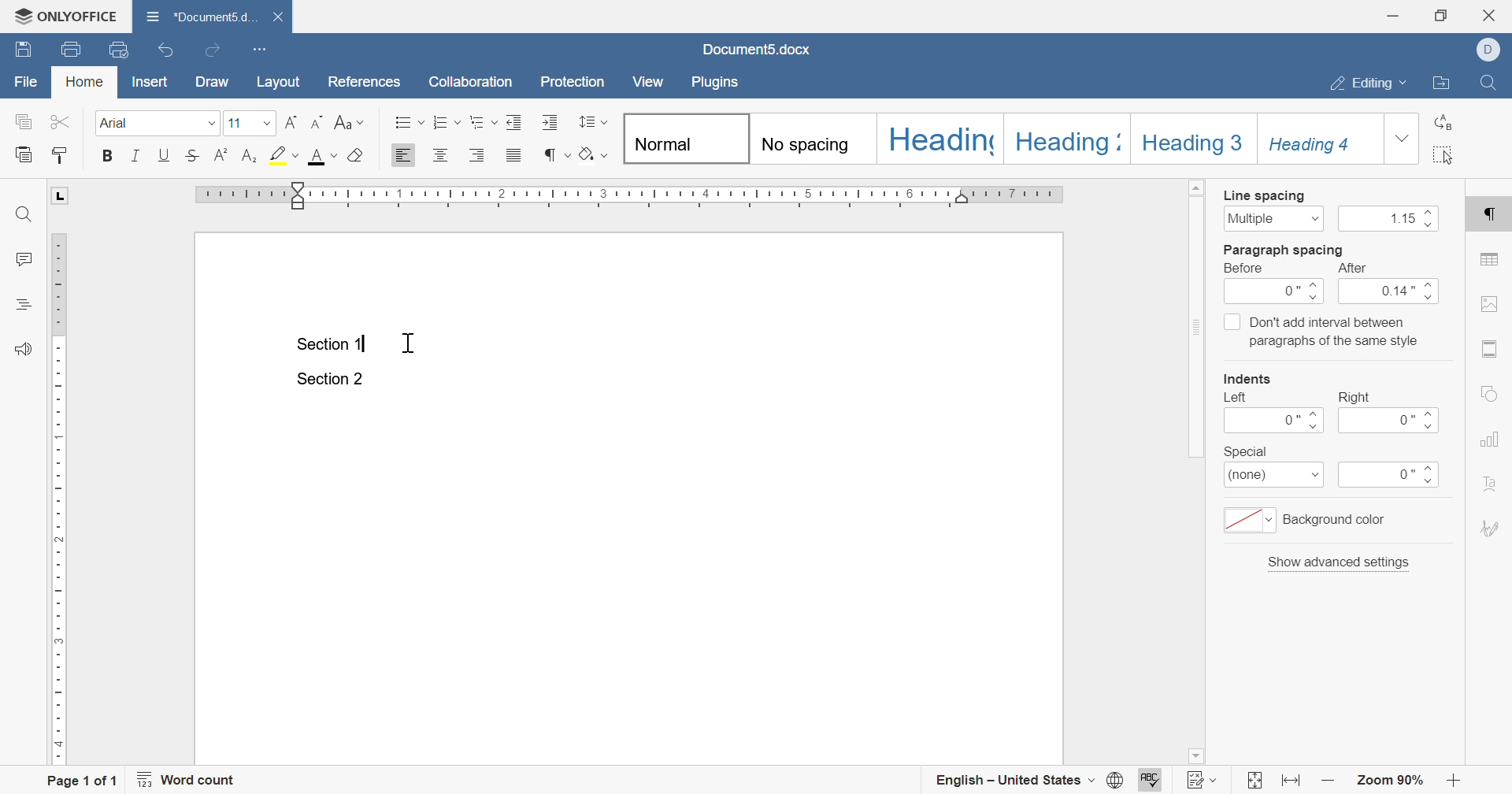  What do you see at coordinates (365, 82) in the screenshot?
I see `references` at bounding box center [365, 82].